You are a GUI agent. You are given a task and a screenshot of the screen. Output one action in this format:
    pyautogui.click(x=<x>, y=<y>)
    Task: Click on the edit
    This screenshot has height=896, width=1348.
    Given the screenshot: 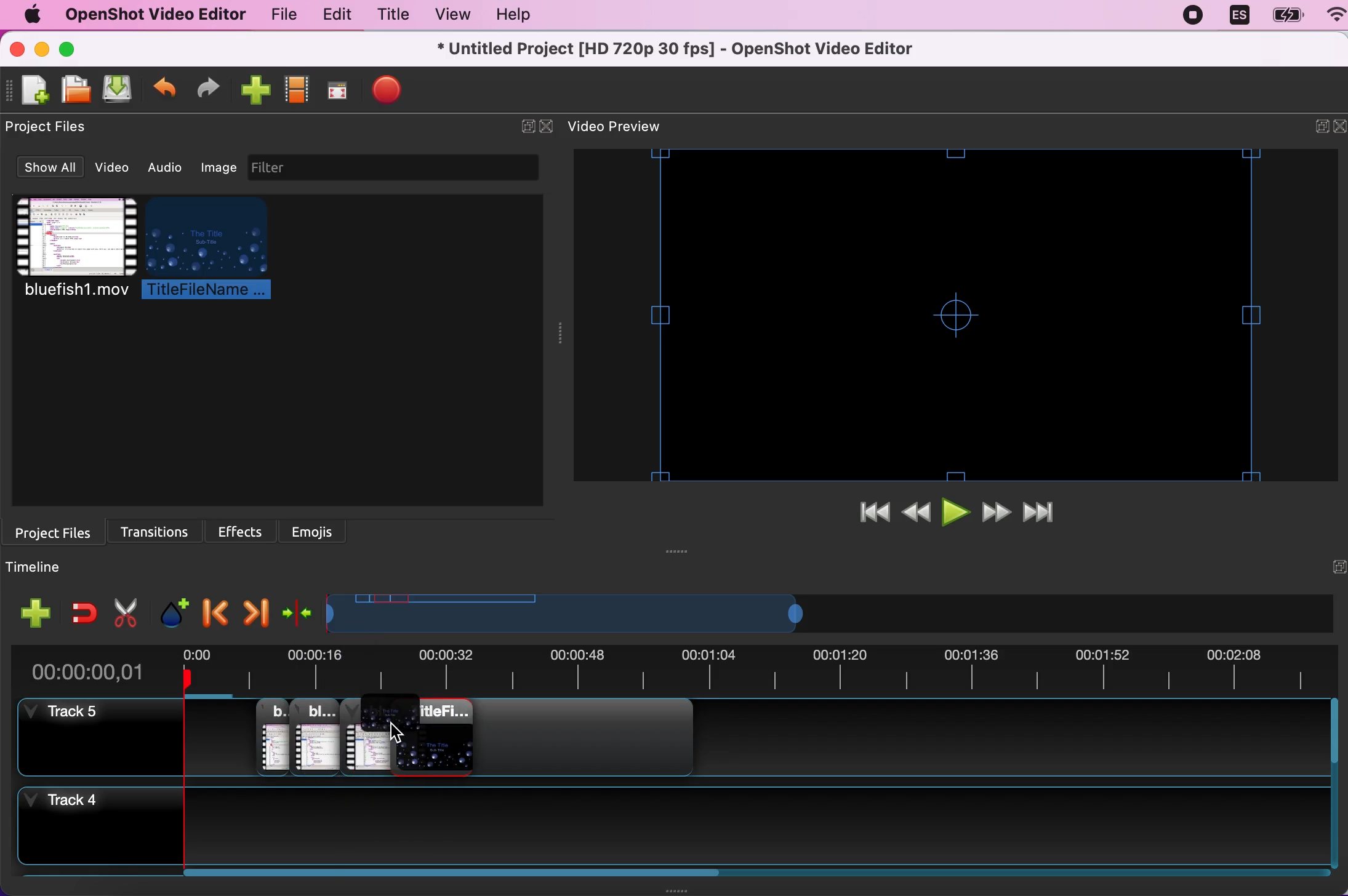 What is the action you would take?
    pyautogui.click(x=334, y=15)
    